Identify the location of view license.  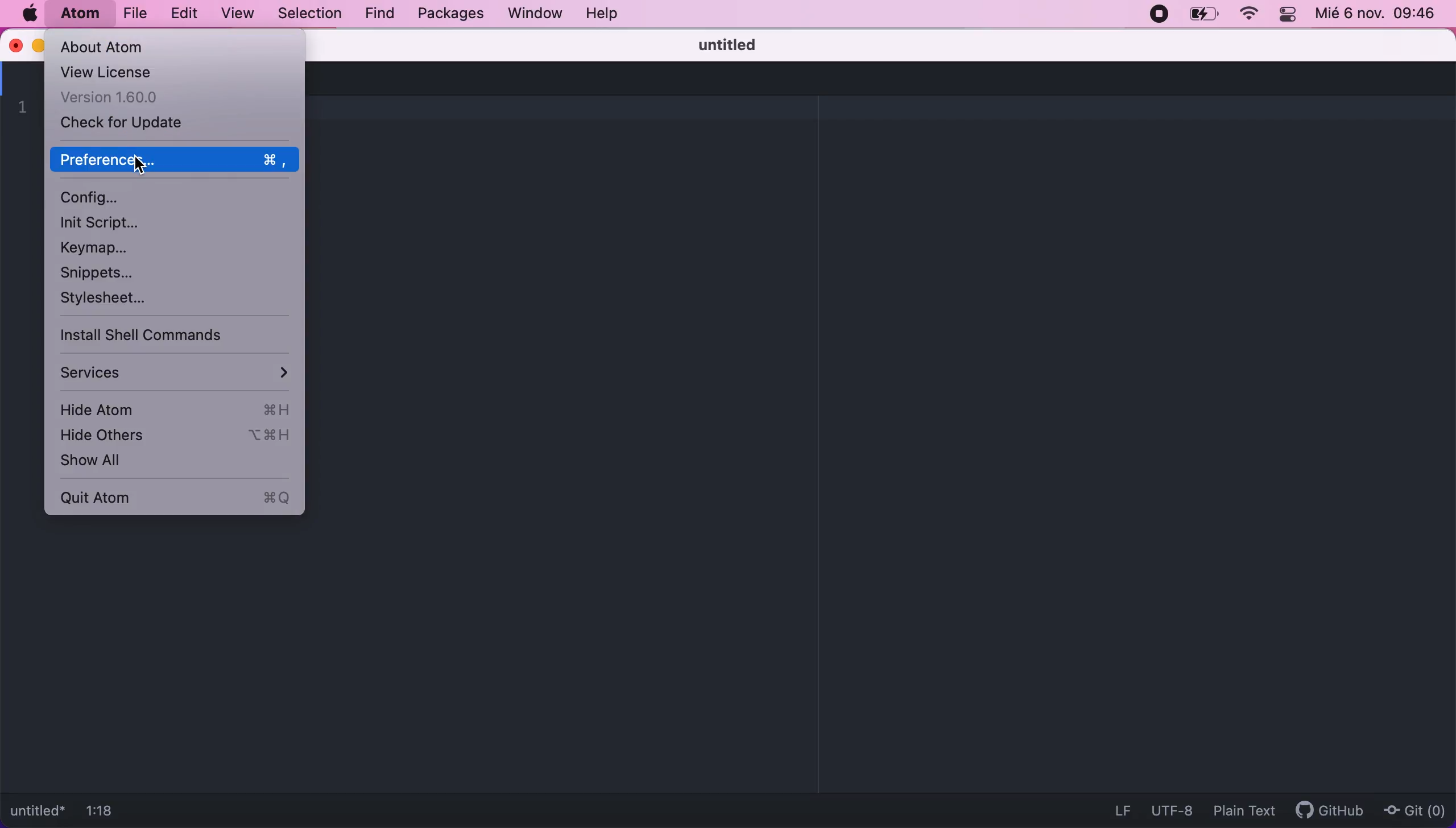
(126, 71).